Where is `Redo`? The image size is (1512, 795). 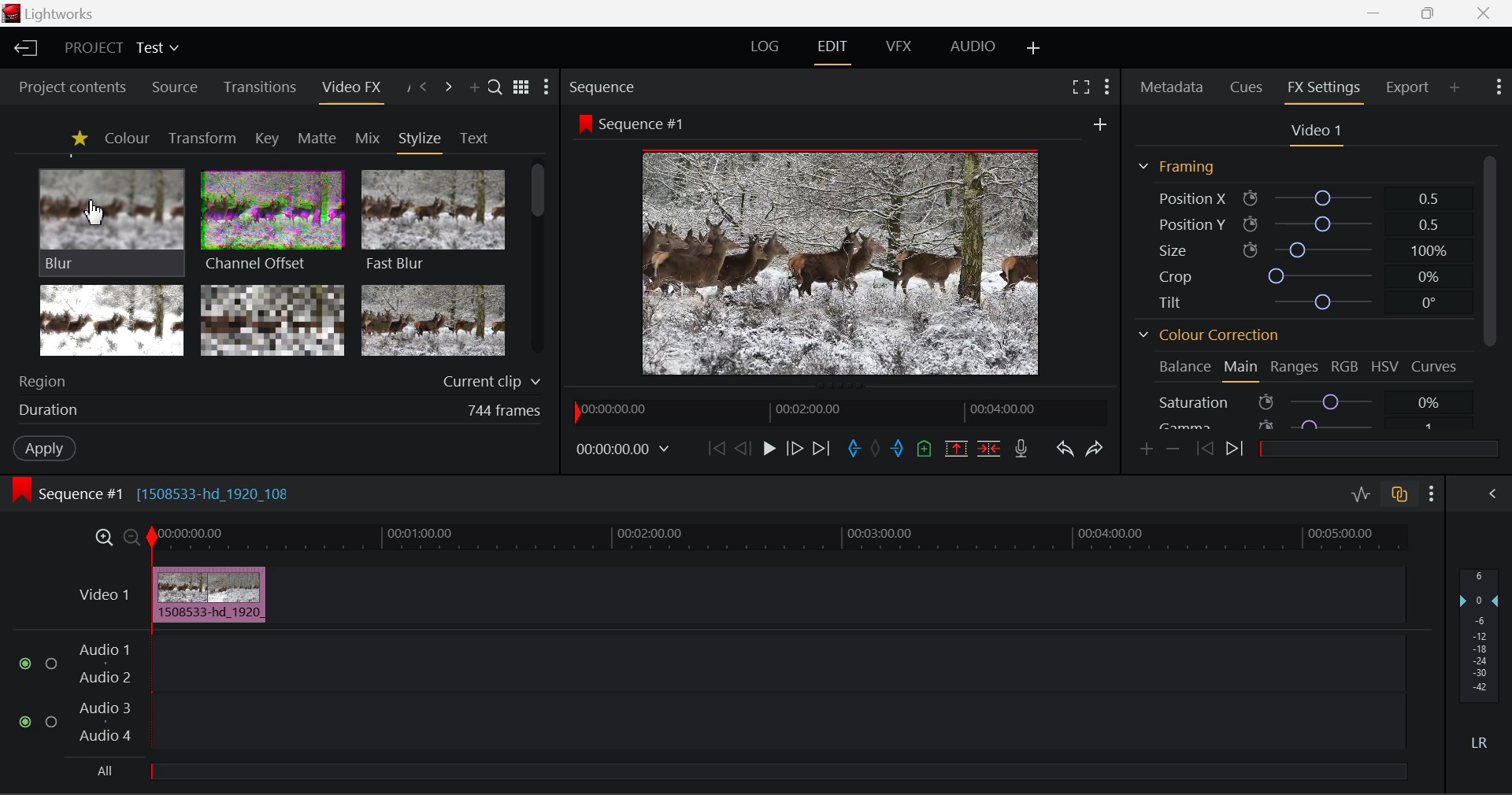
Redo is located at coordinates (1092, 447).